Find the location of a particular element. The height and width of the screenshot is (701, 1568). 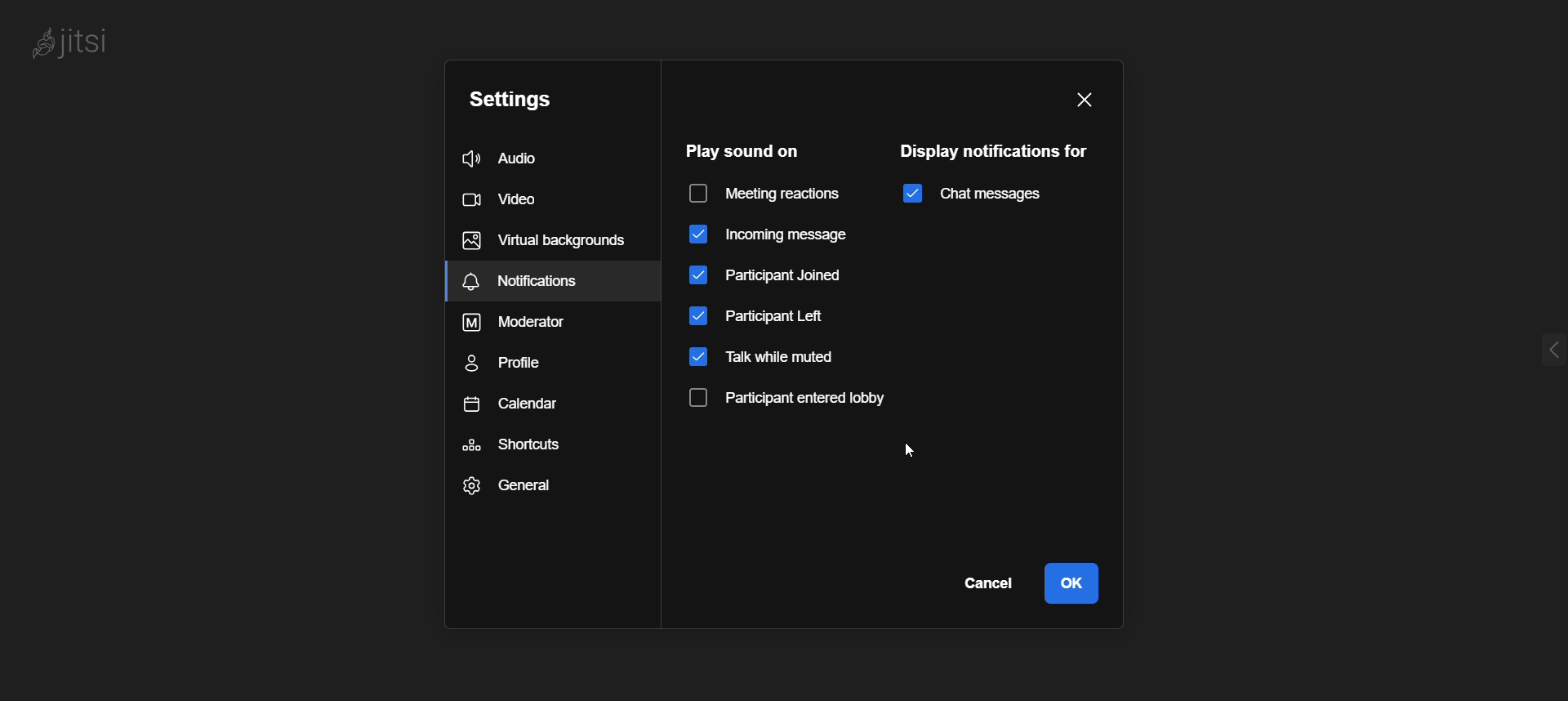

incoming action is located at coordinates (768, 235).